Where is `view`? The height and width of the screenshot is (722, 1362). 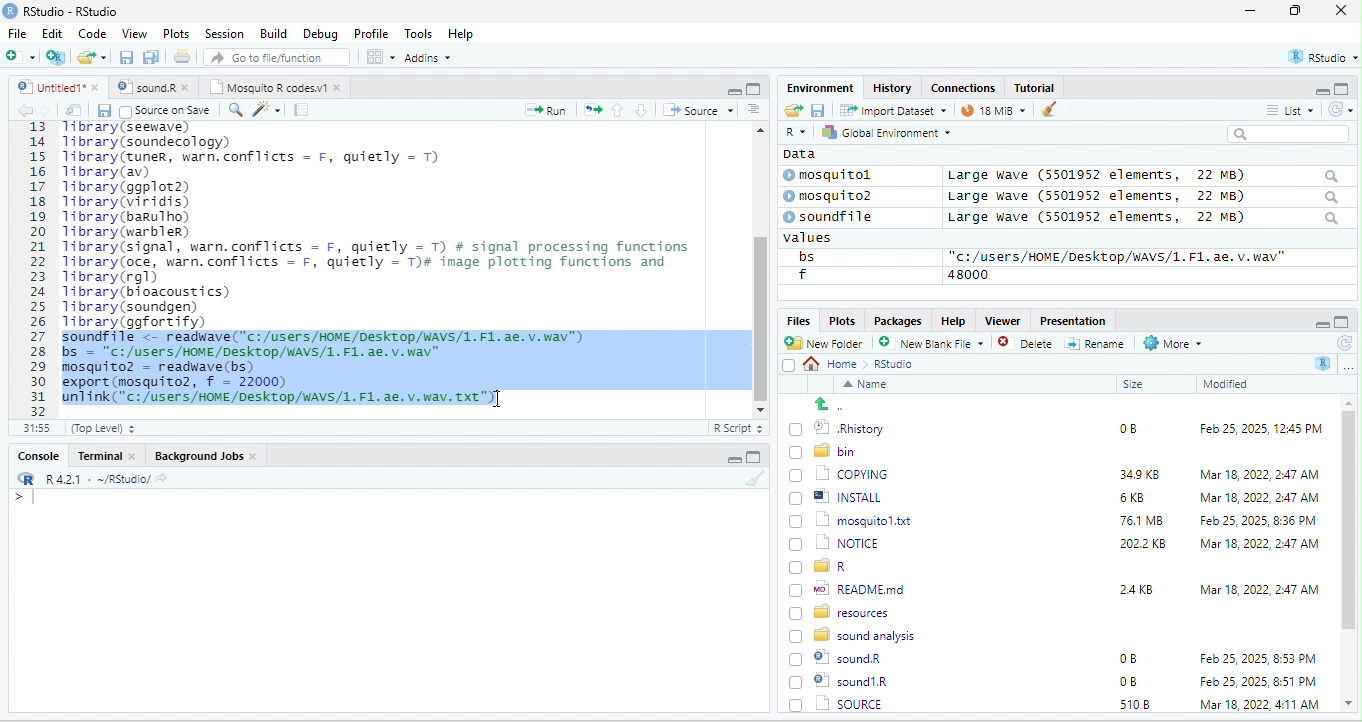
view is located at coordinates (380, 57).